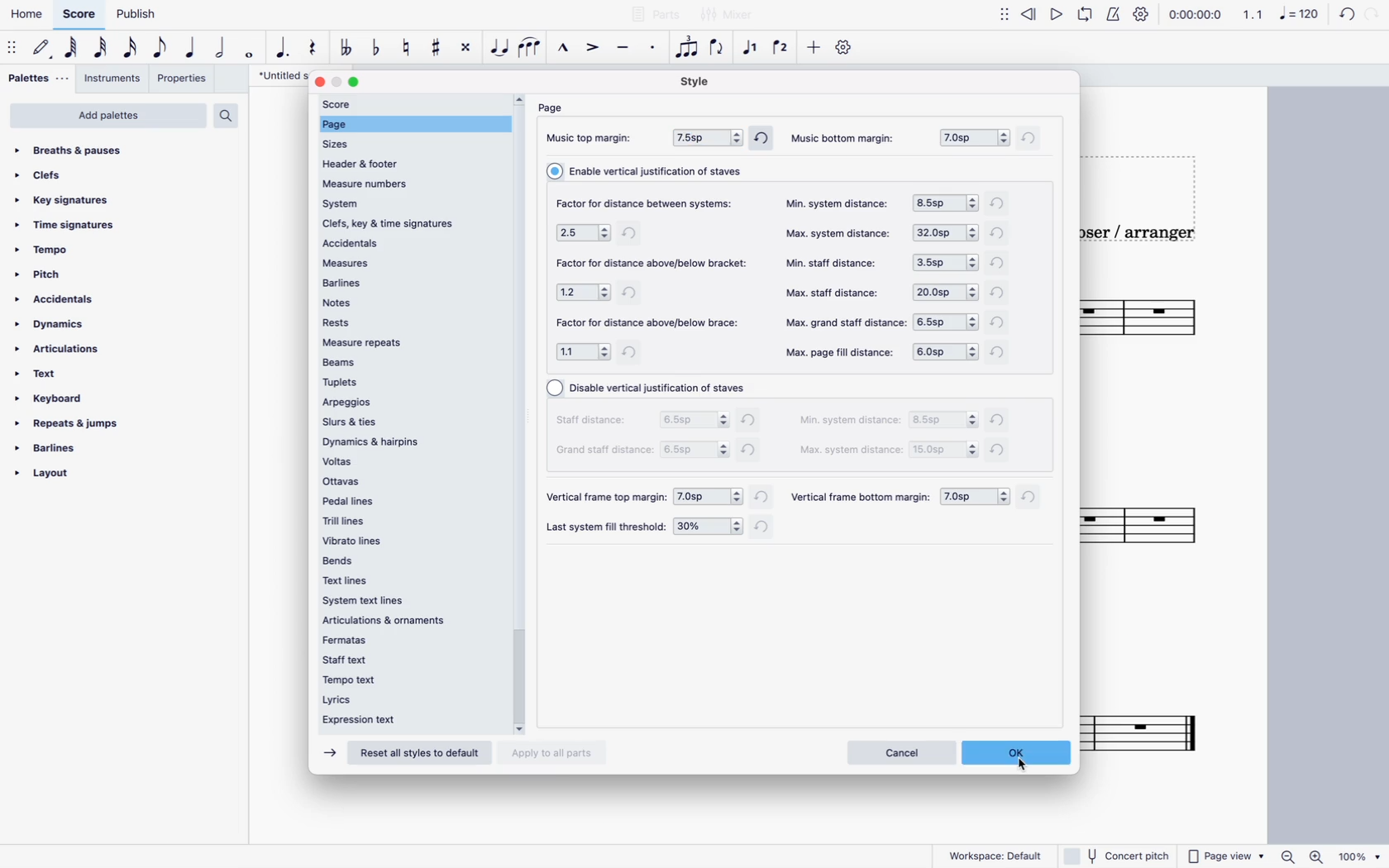 The width and height of the screenshot is (1389, 868). What do you see at coordinates (411, 301) in the screenshot?
I see `notes` at bounding box center [411, 301].